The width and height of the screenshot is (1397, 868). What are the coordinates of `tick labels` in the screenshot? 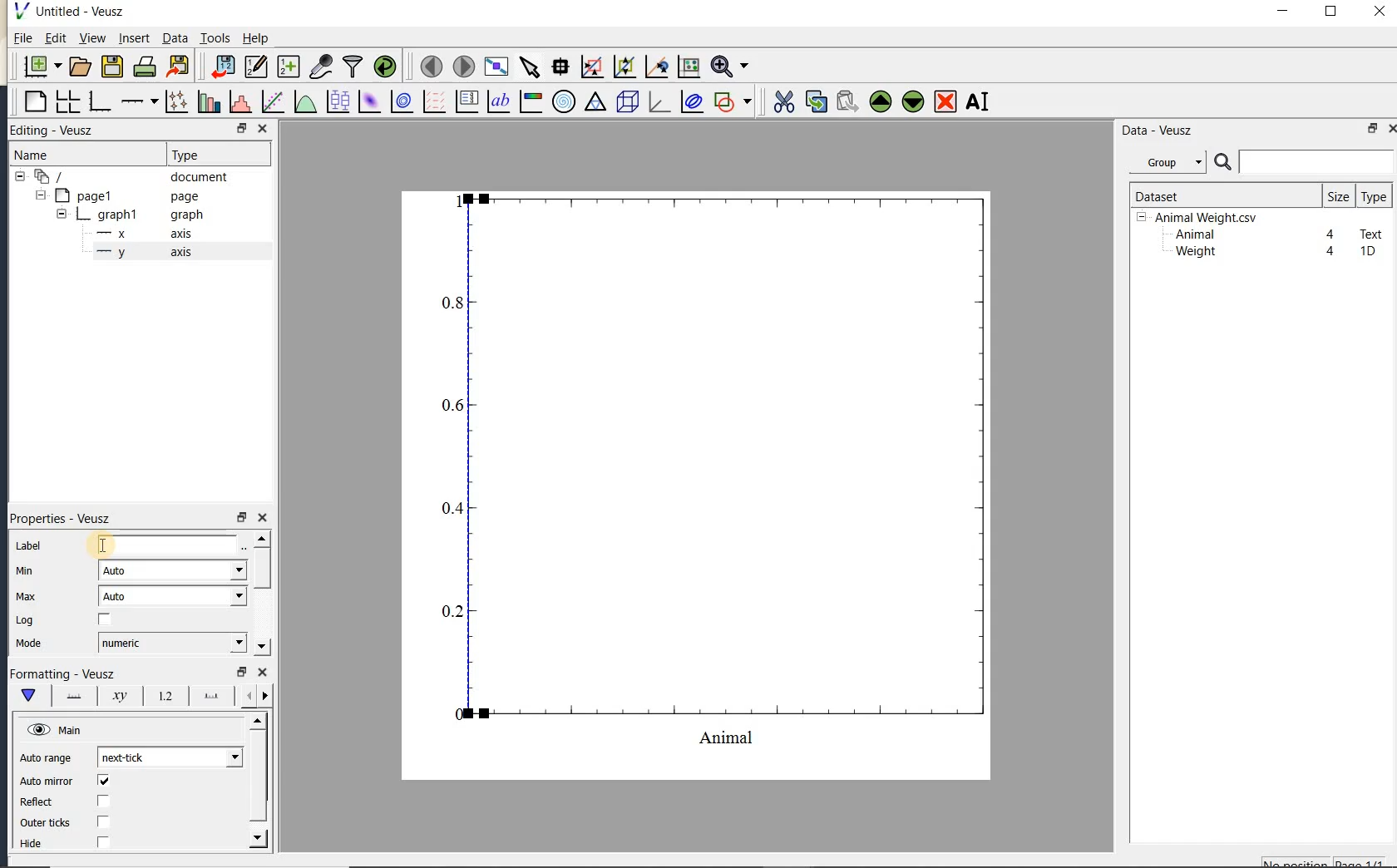 It's located at (162, 695).